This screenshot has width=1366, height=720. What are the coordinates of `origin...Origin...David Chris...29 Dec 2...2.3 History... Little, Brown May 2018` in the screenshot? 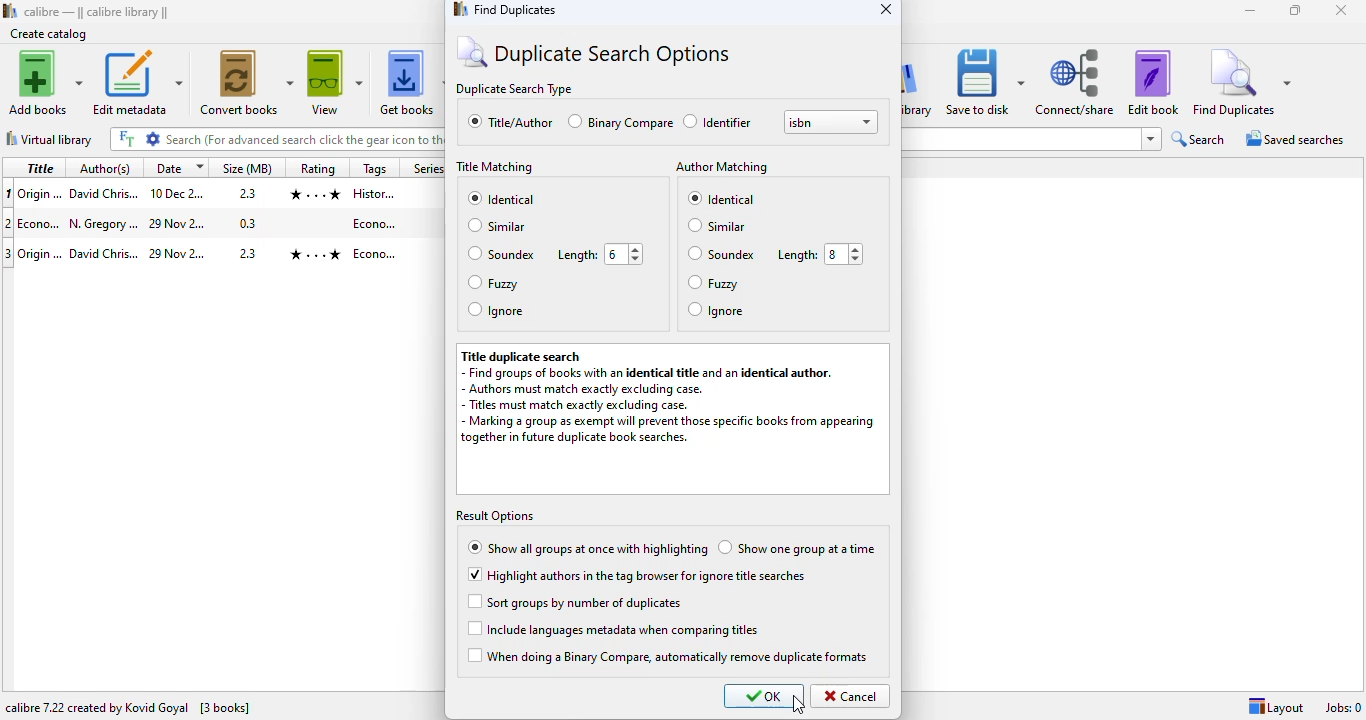 It's located at (232, 251).